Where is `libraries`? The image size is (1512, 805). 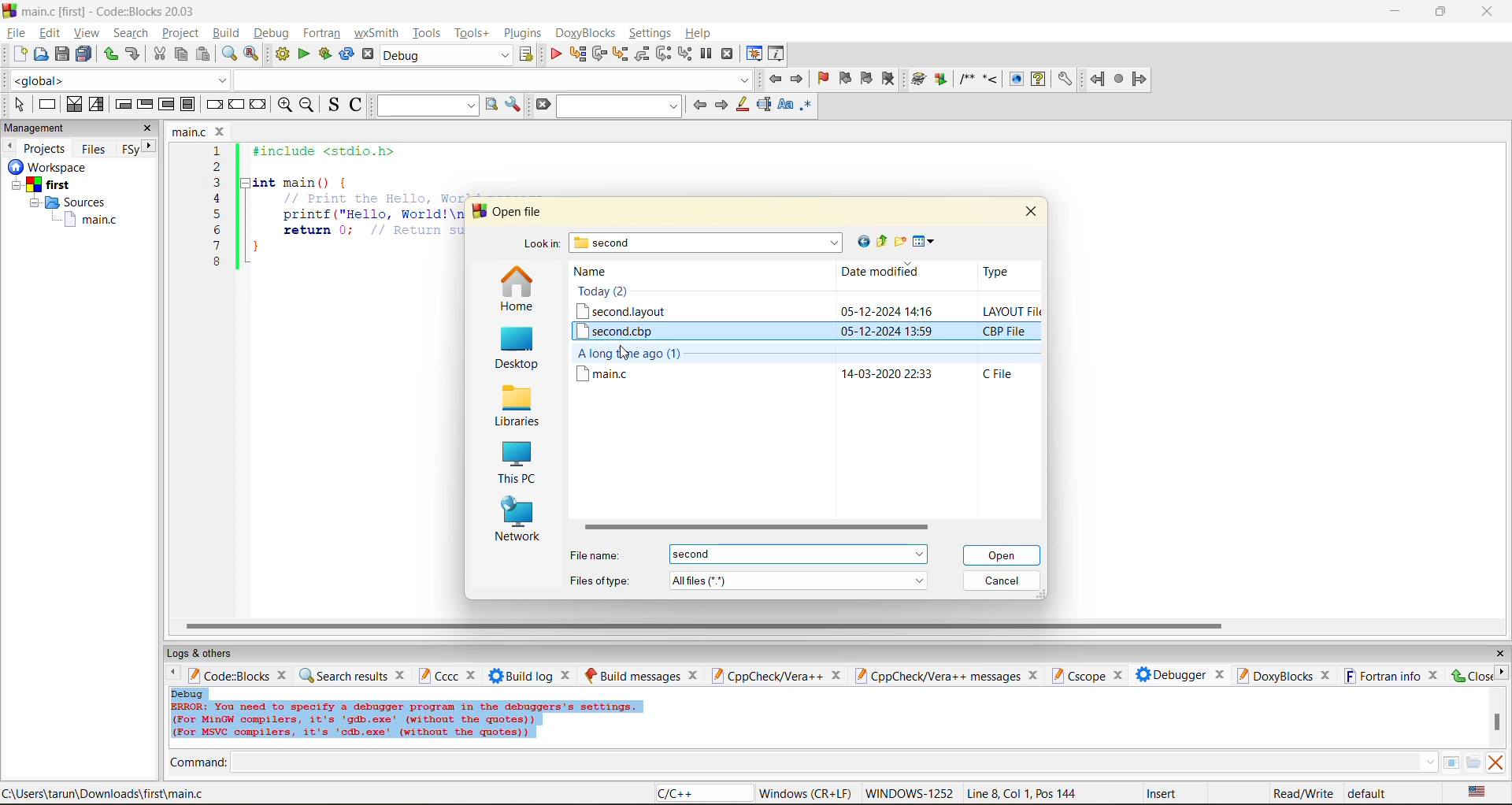
libraries is located at coordinates (515, 406).